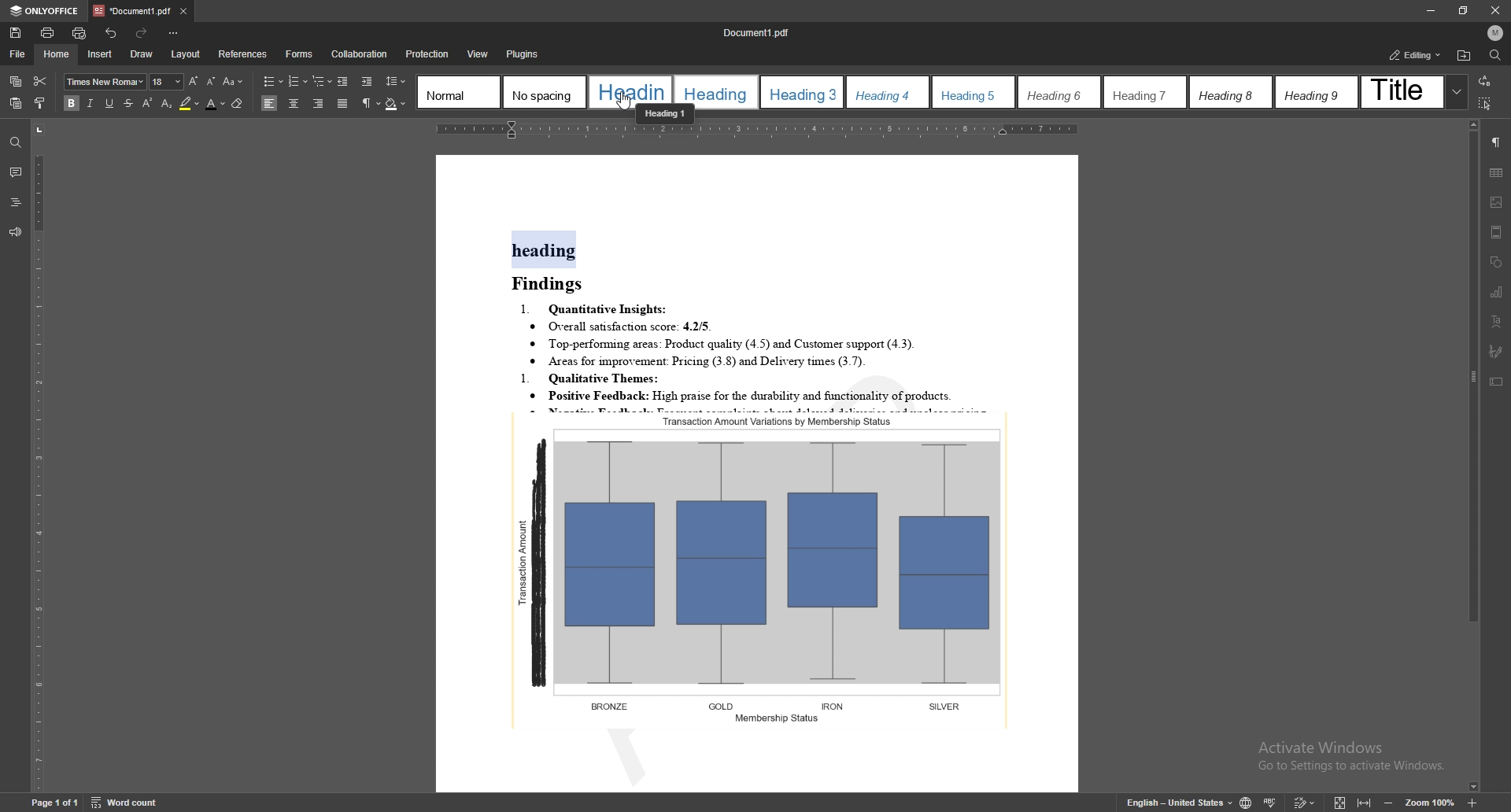  I want to click on horizontal scale, so click(767, 131).